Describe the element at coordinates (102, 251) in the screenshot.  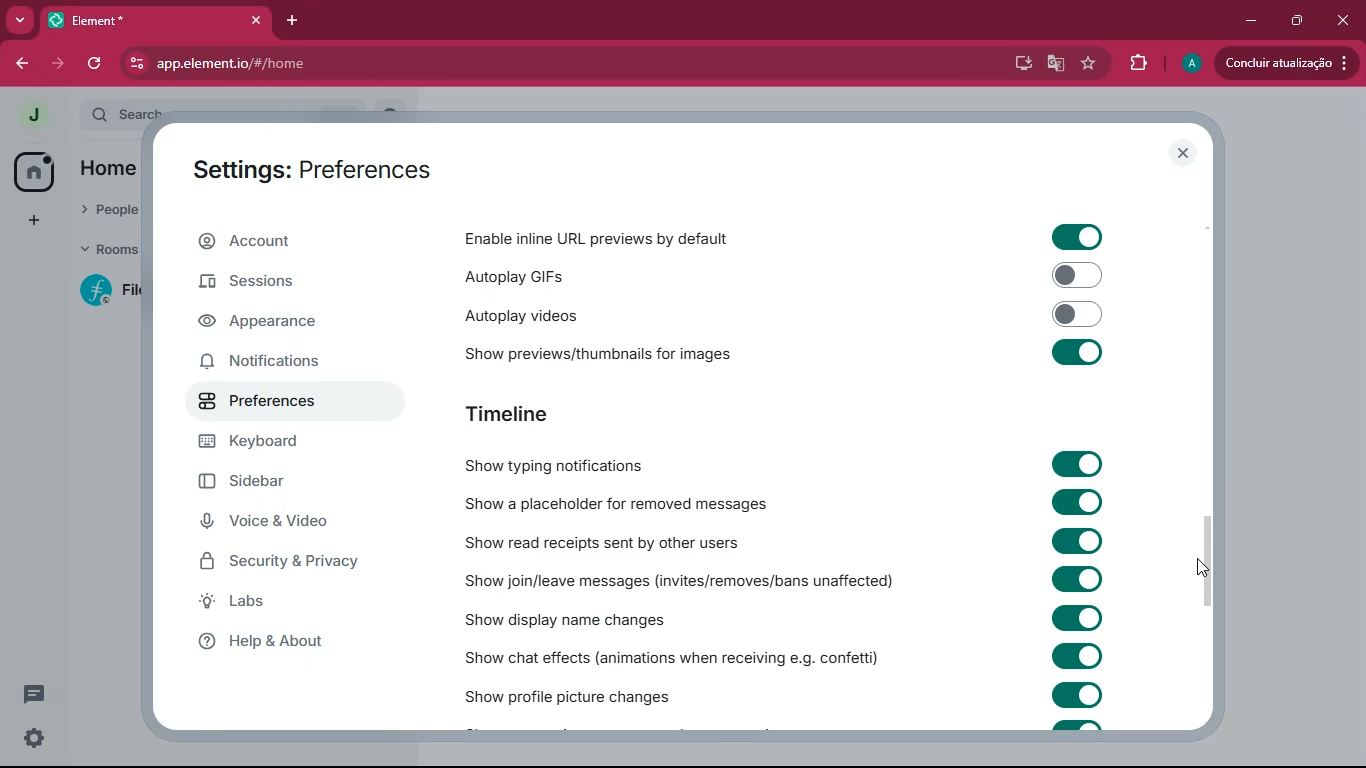
I see `rooms` at that location.